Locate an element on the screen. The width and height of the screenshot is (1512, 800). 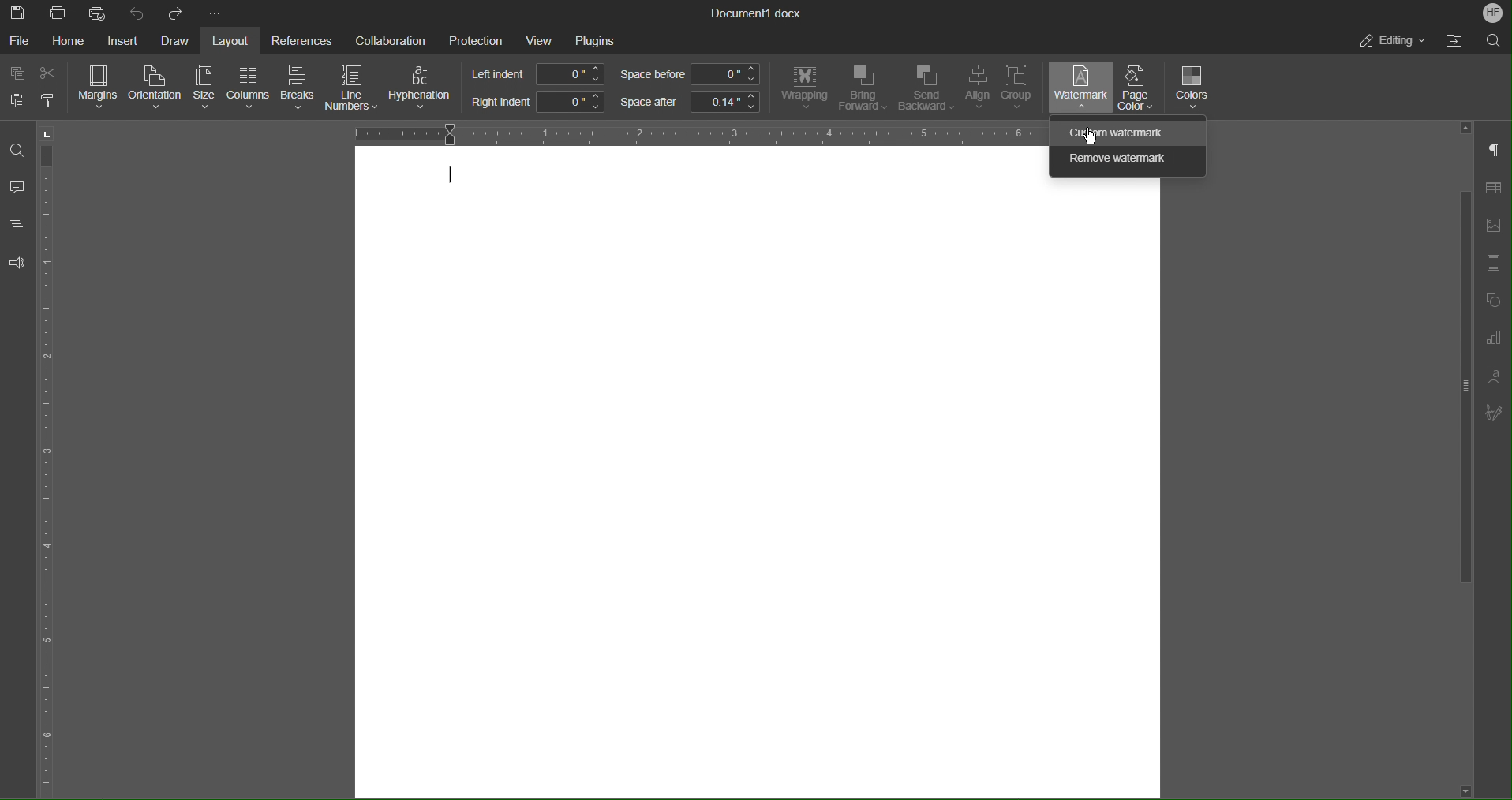
Copy is located at coordinates (19, 74).